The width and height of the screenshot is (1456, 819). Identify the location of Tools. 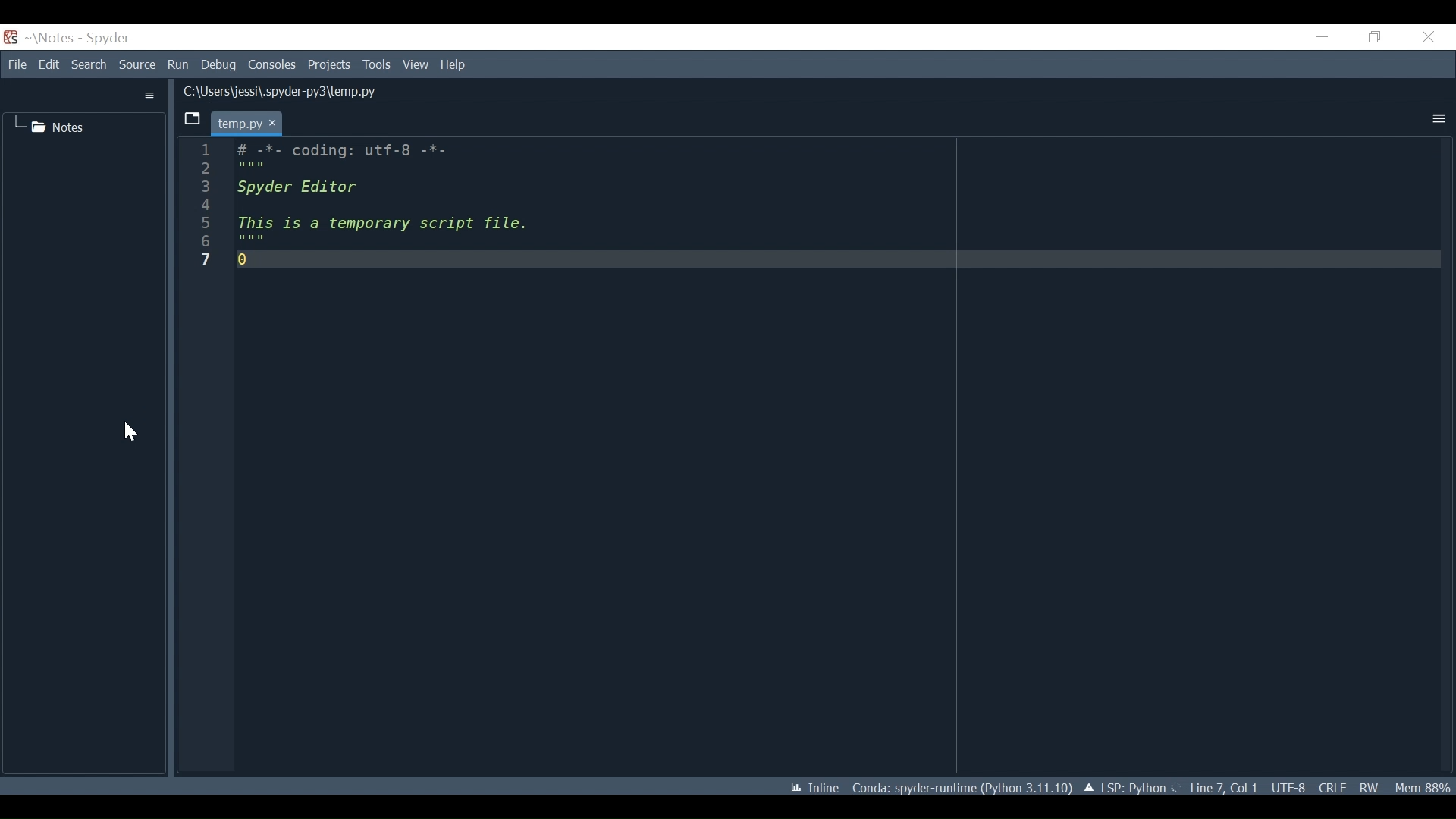
(376, 65).